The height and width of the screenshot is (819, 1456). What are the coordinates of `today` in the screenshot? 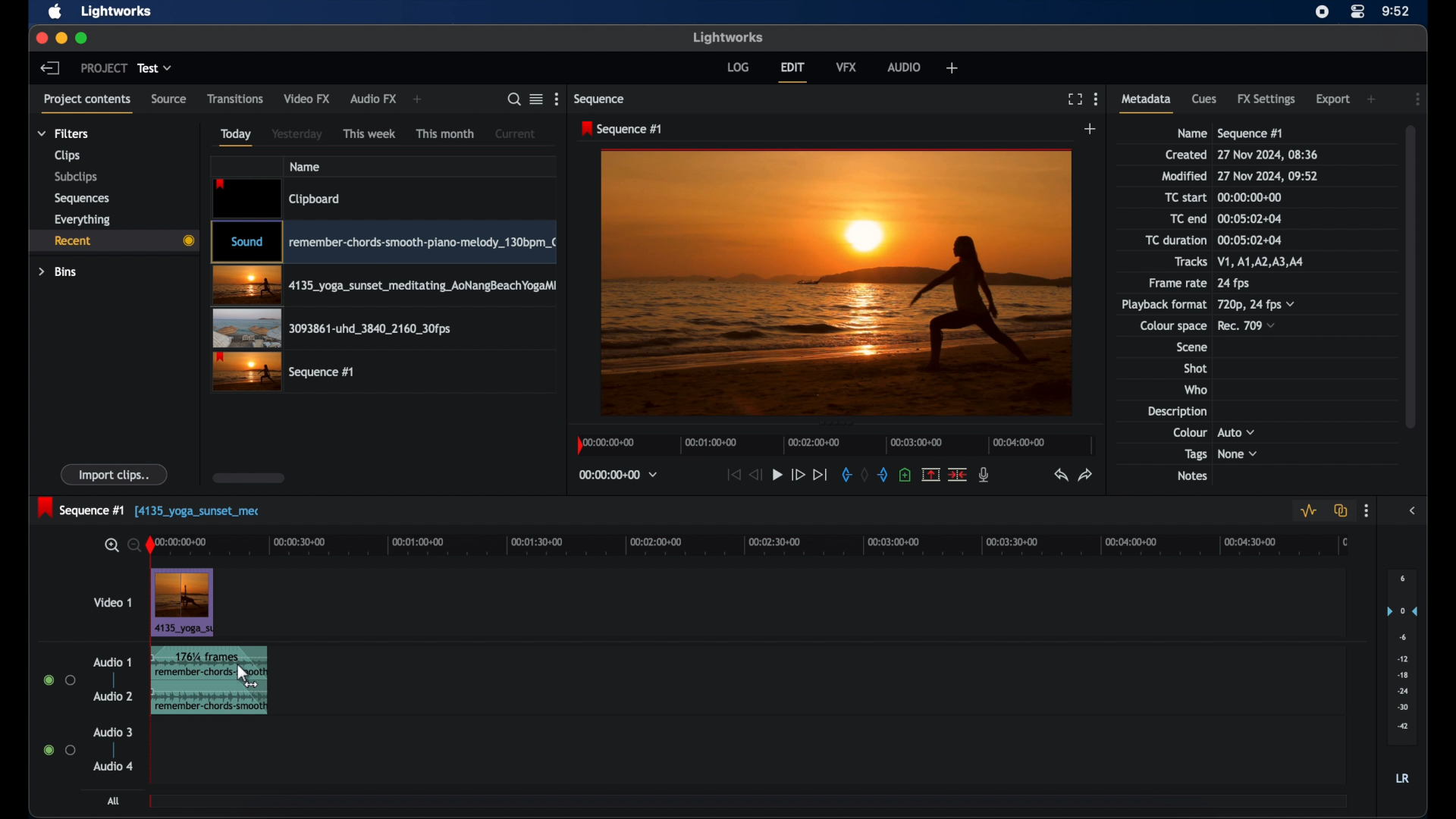 It's located at (236, 137).